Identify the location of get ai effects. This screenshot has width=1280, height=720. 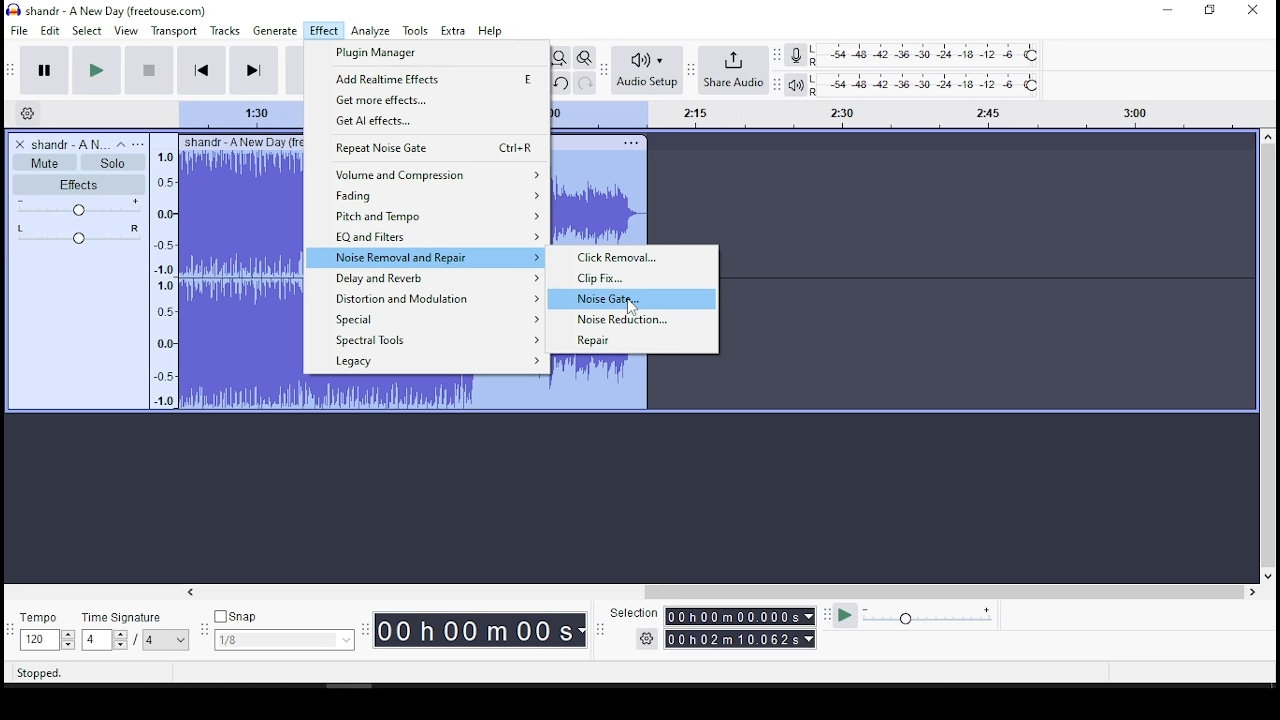
(427, 121).